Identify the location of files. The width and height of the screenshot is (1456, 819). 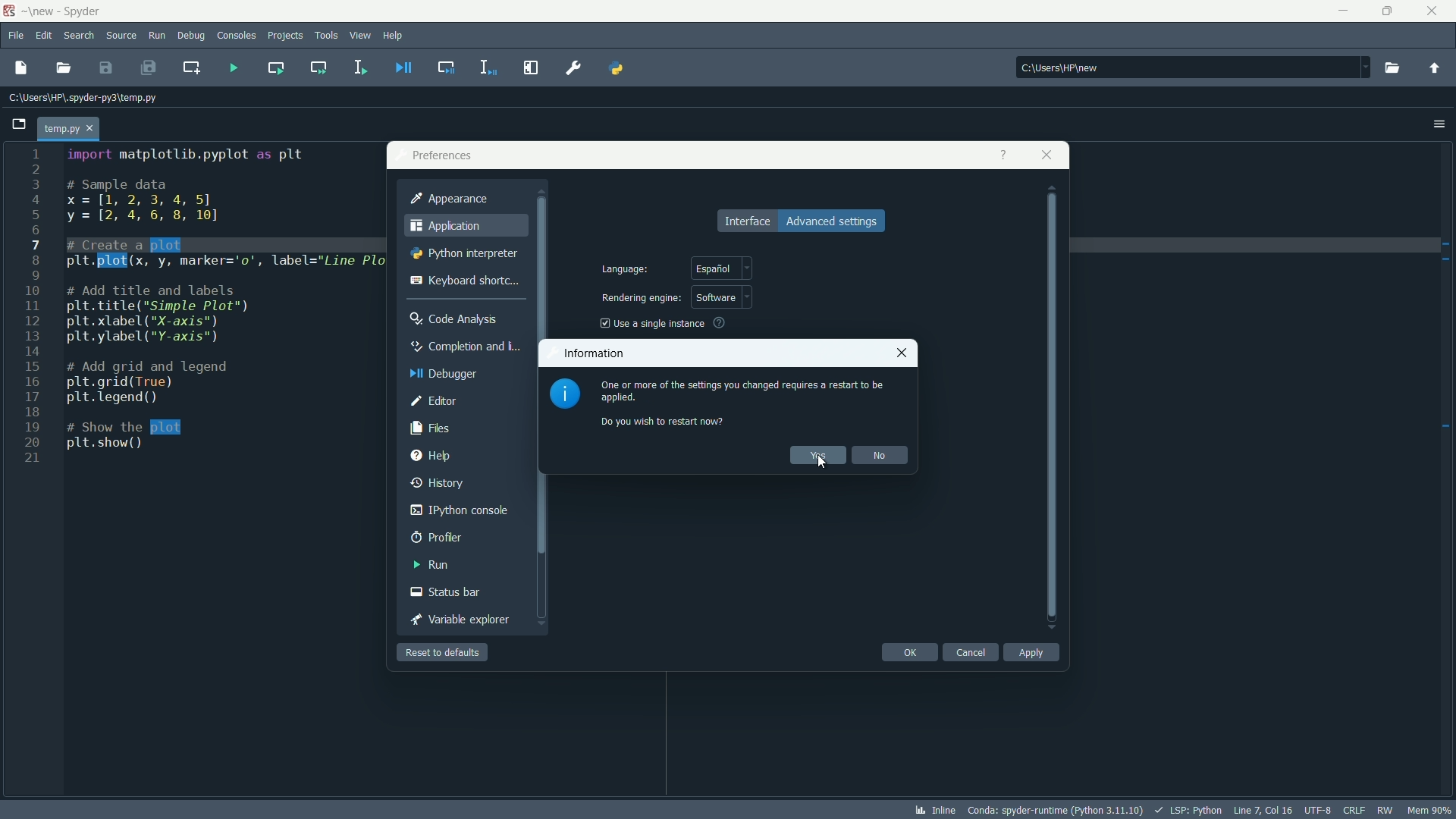
(430, 428).